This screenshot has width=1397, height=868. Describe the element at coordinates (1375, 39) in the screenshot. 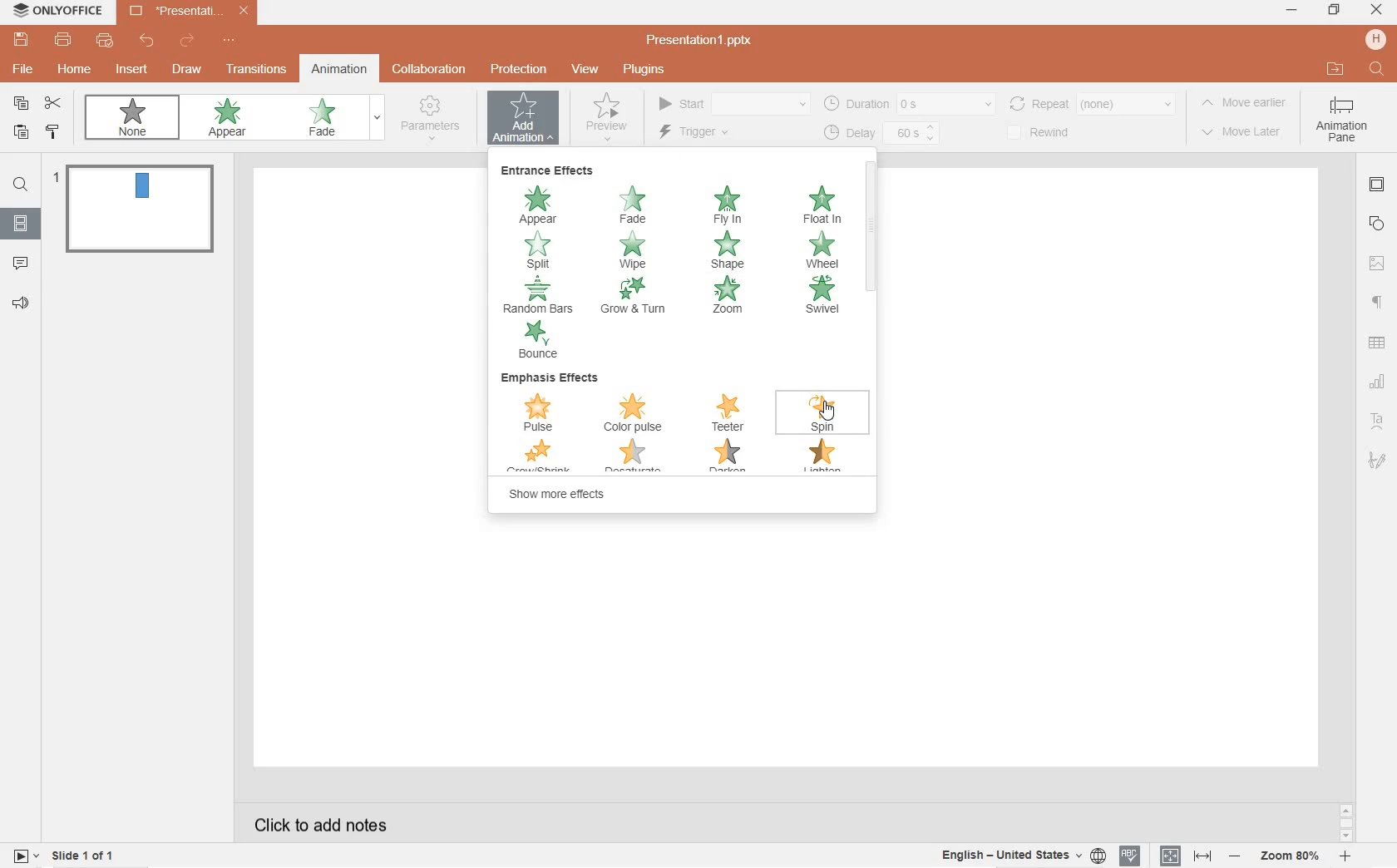

I see `HP` at that location.